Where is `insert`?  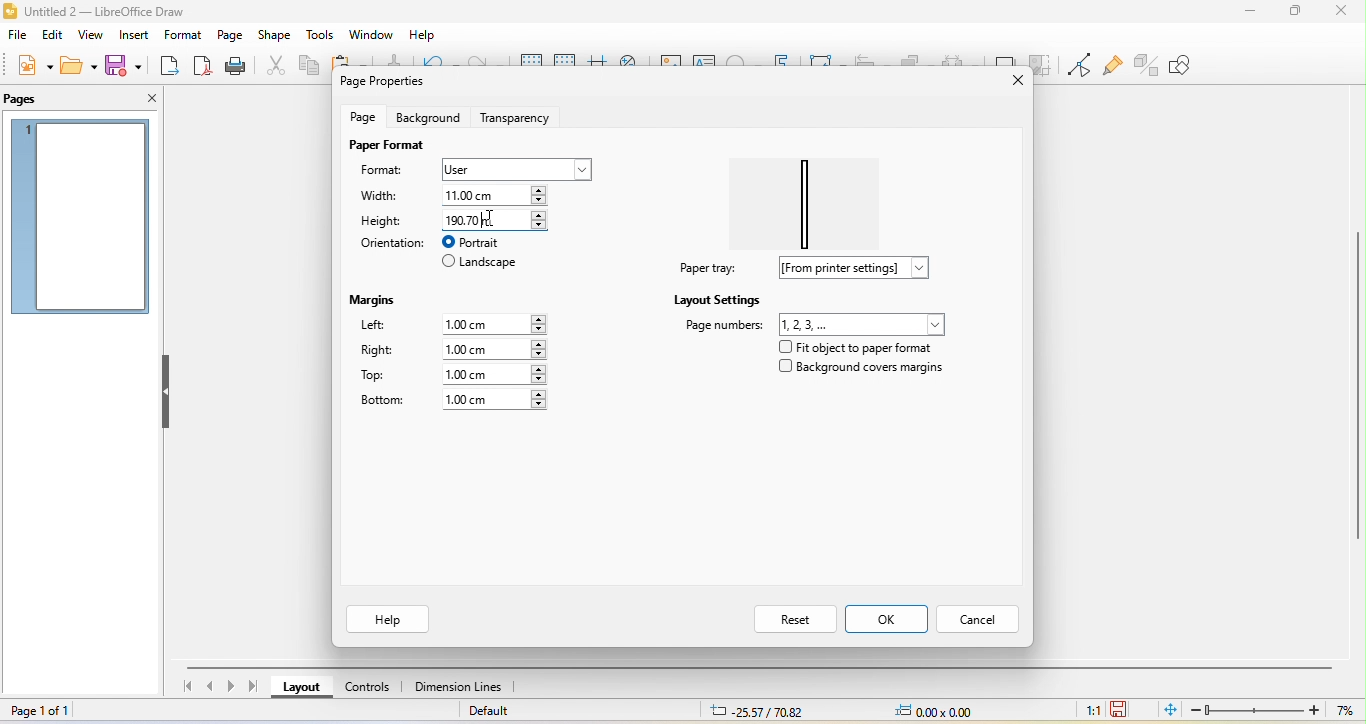 insert is located at coordinates (132, 36).